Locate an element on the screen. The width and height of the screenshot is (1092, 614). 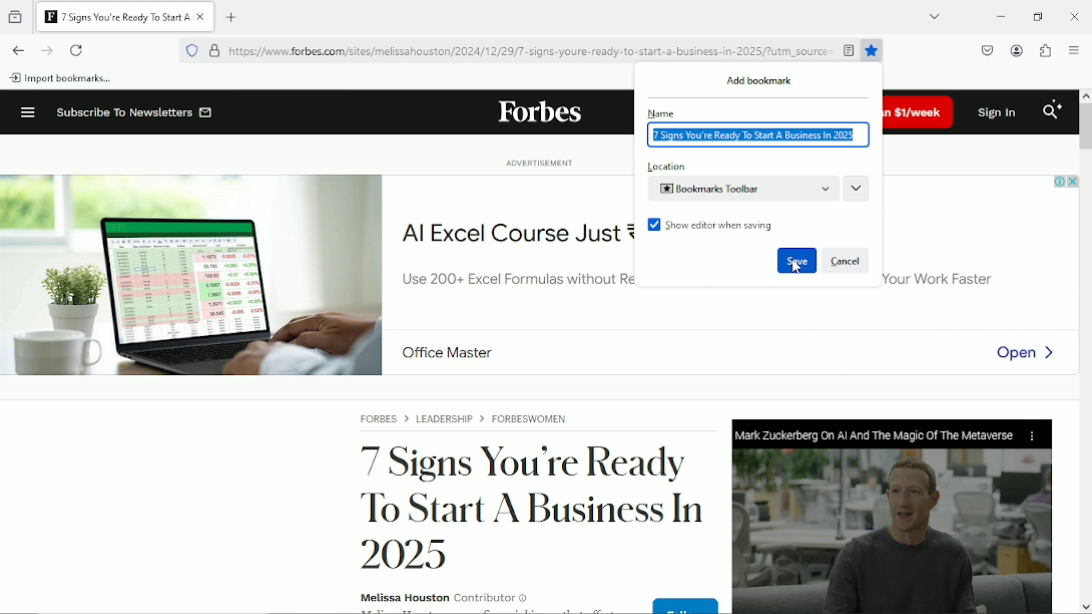
subscribe to newsletters is located at coordinates (133, 112).